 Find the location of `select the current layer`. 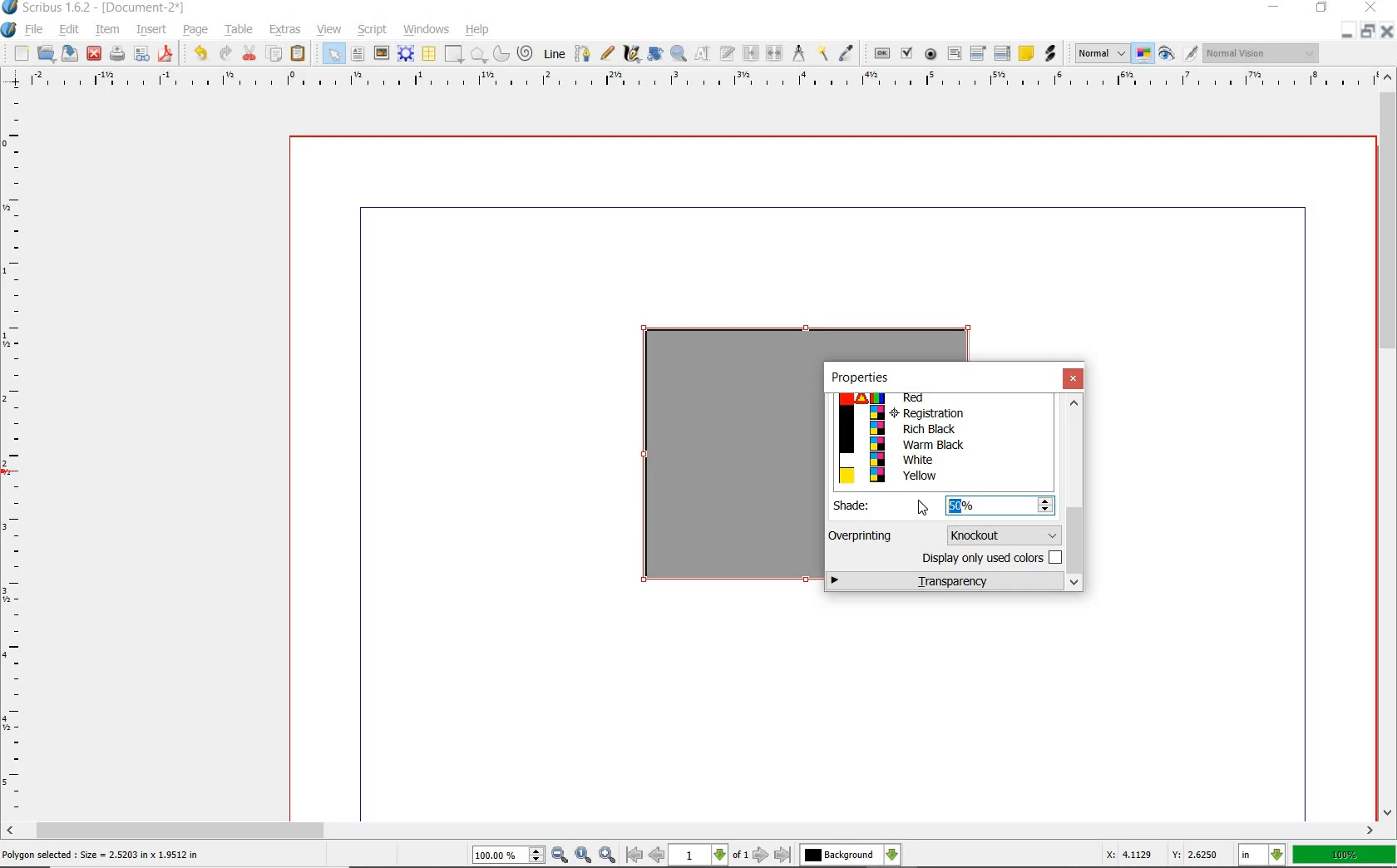

select the current layer is located at coordinates (851, 855).